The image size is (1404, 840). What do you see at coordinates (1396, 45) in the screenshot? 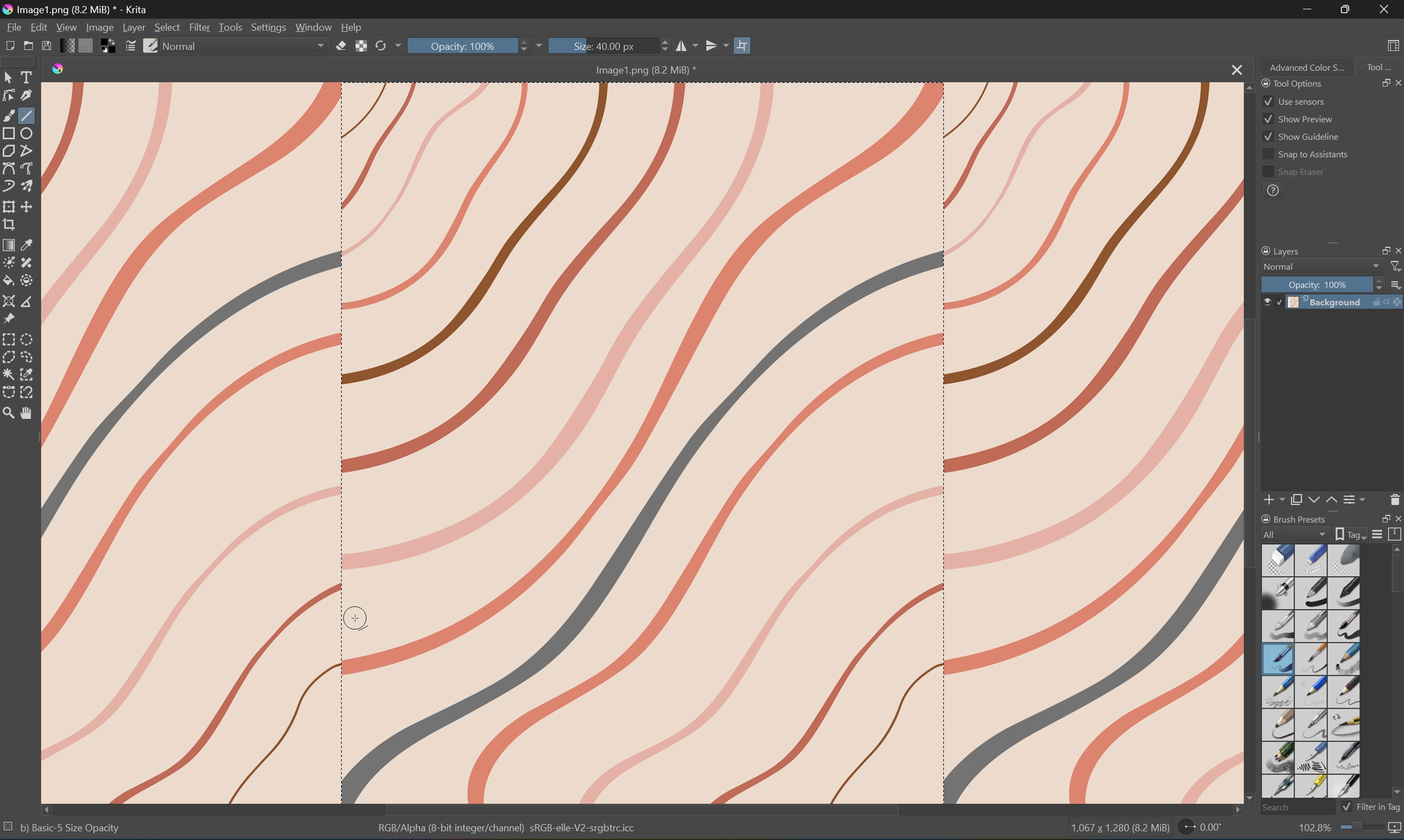
I see `Choose workspace` at bounding box center [1396, 45].